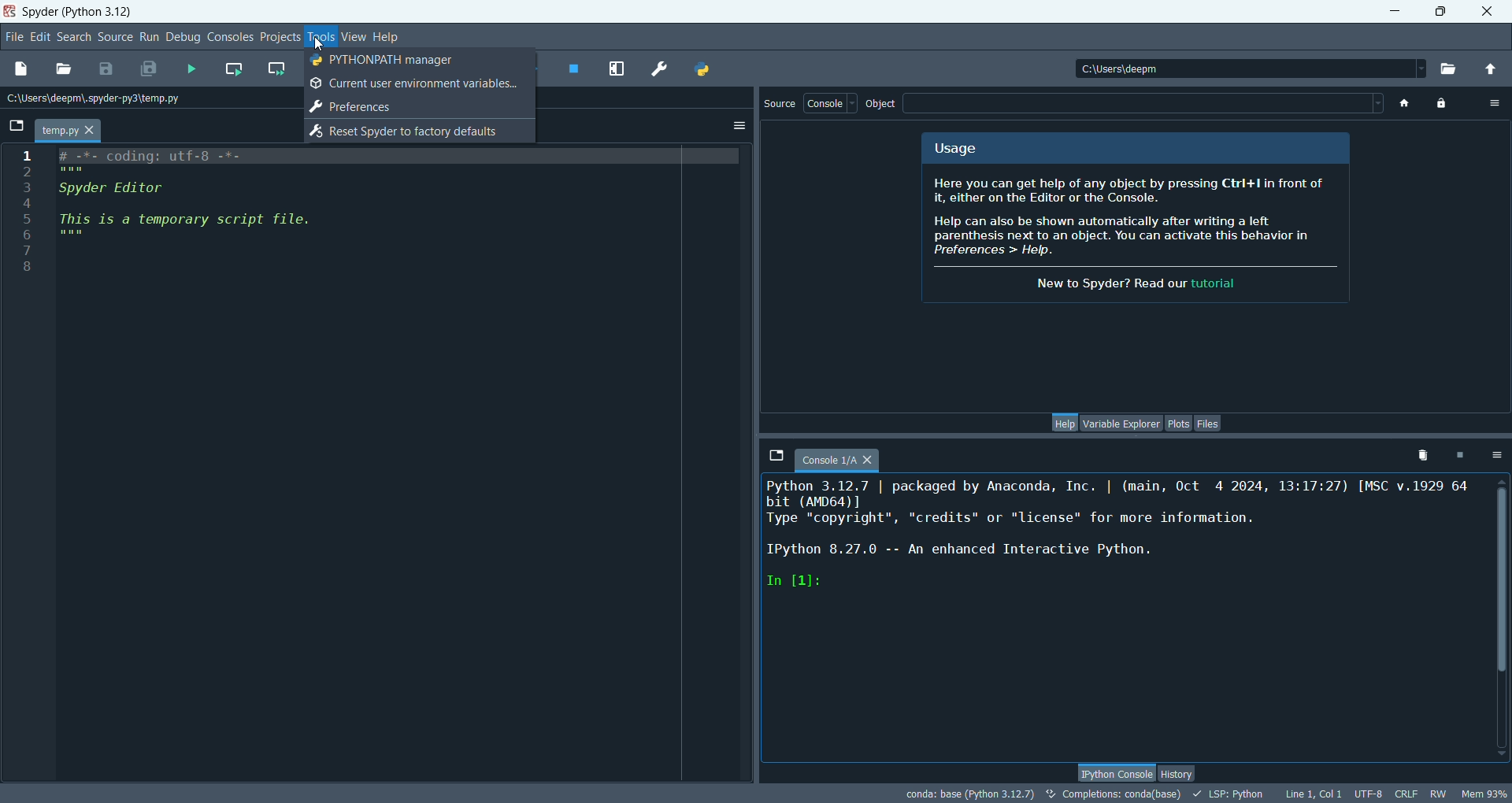 This screenshot has width=1512, height=803. What do you see at coordinates (113, 38) in the screenshot?
I see `source` at bounding box center [113, 38].